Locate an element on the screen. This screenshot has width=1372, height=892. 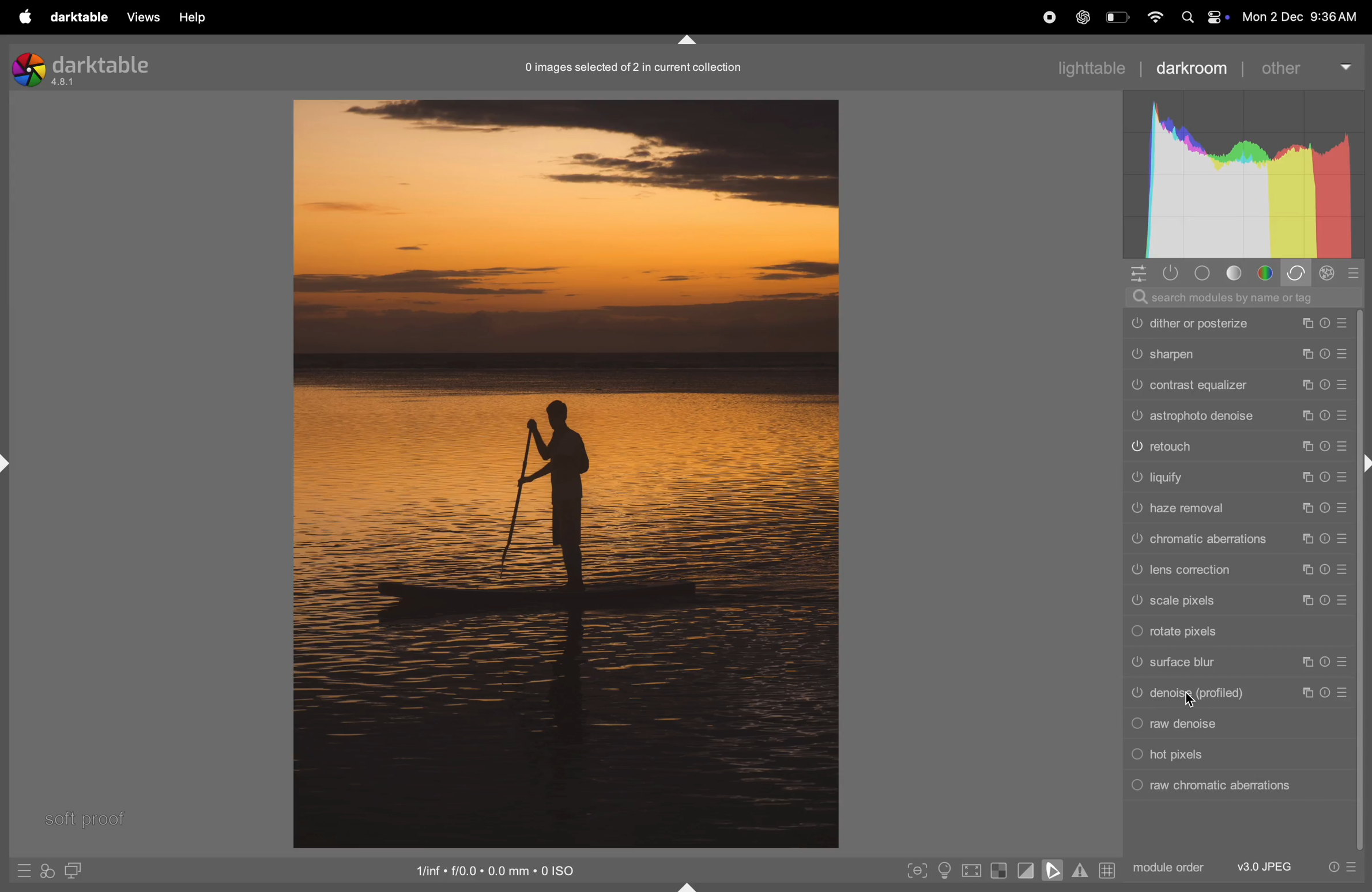
wifi is located at coordinates (1153, 17).